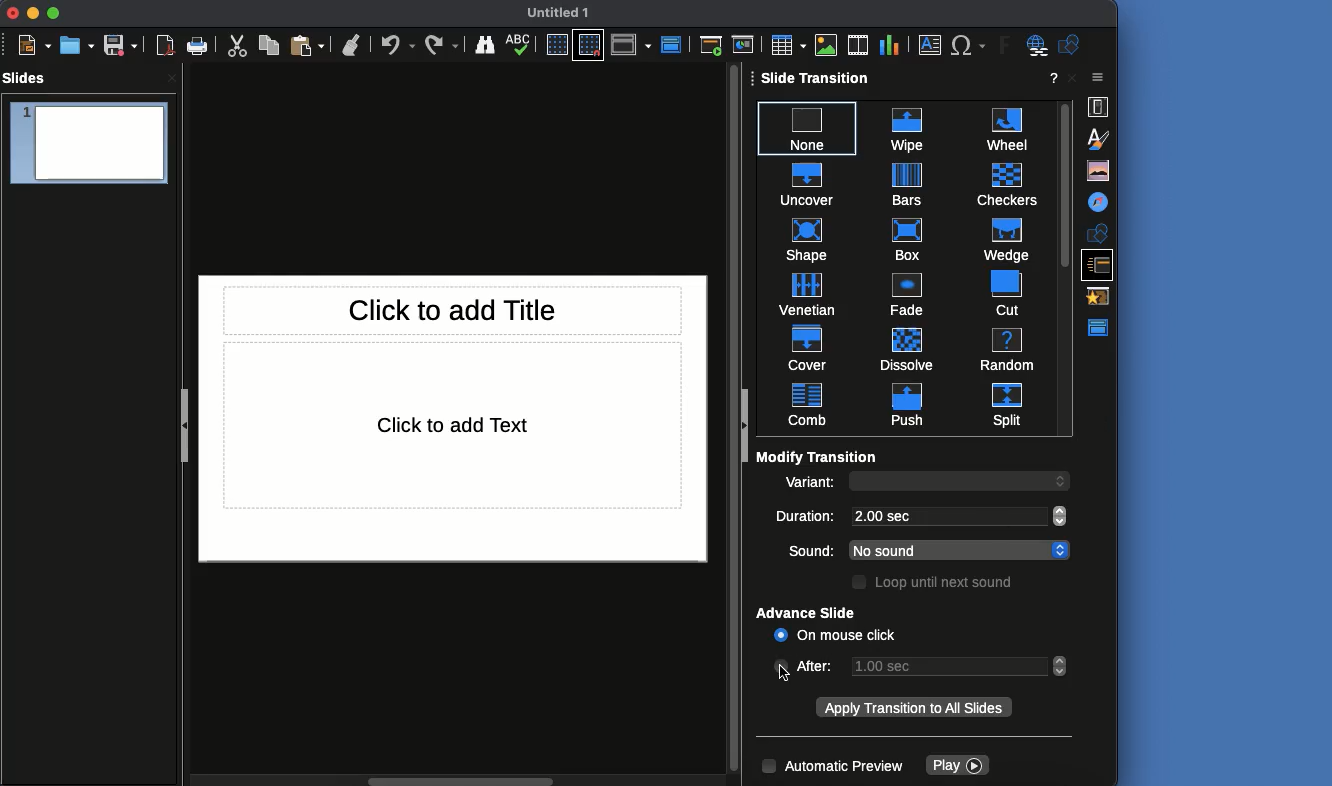 The height and width of the screenshot is (786, 1332). What do you see at coordinates (957, 766) in the screenshot?
I see `Play` at bounding box center [957, 766].